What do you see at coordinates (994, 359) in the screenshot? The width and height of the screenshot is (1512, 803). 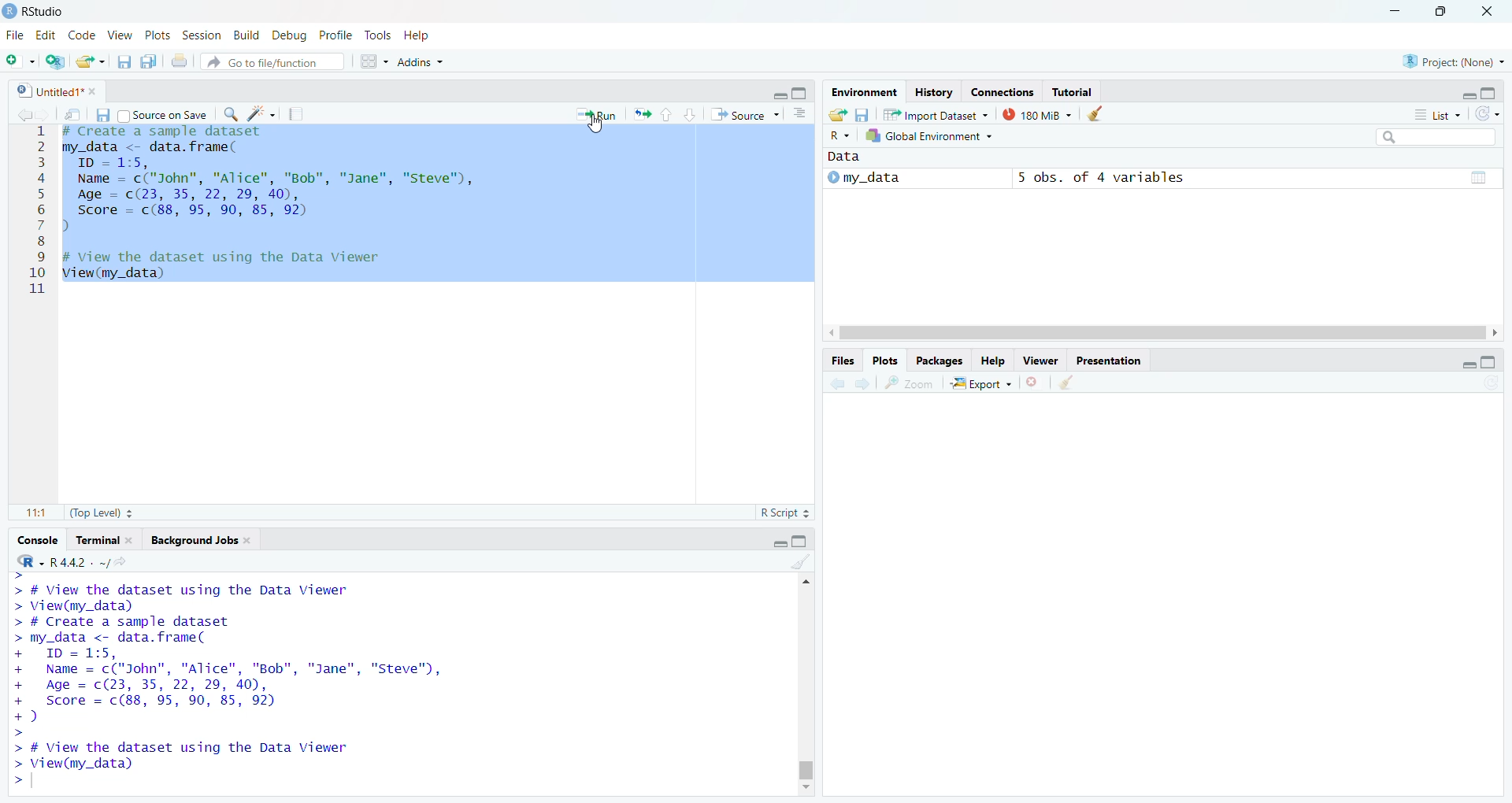 I see `Help` at bounding box center [994, 359].